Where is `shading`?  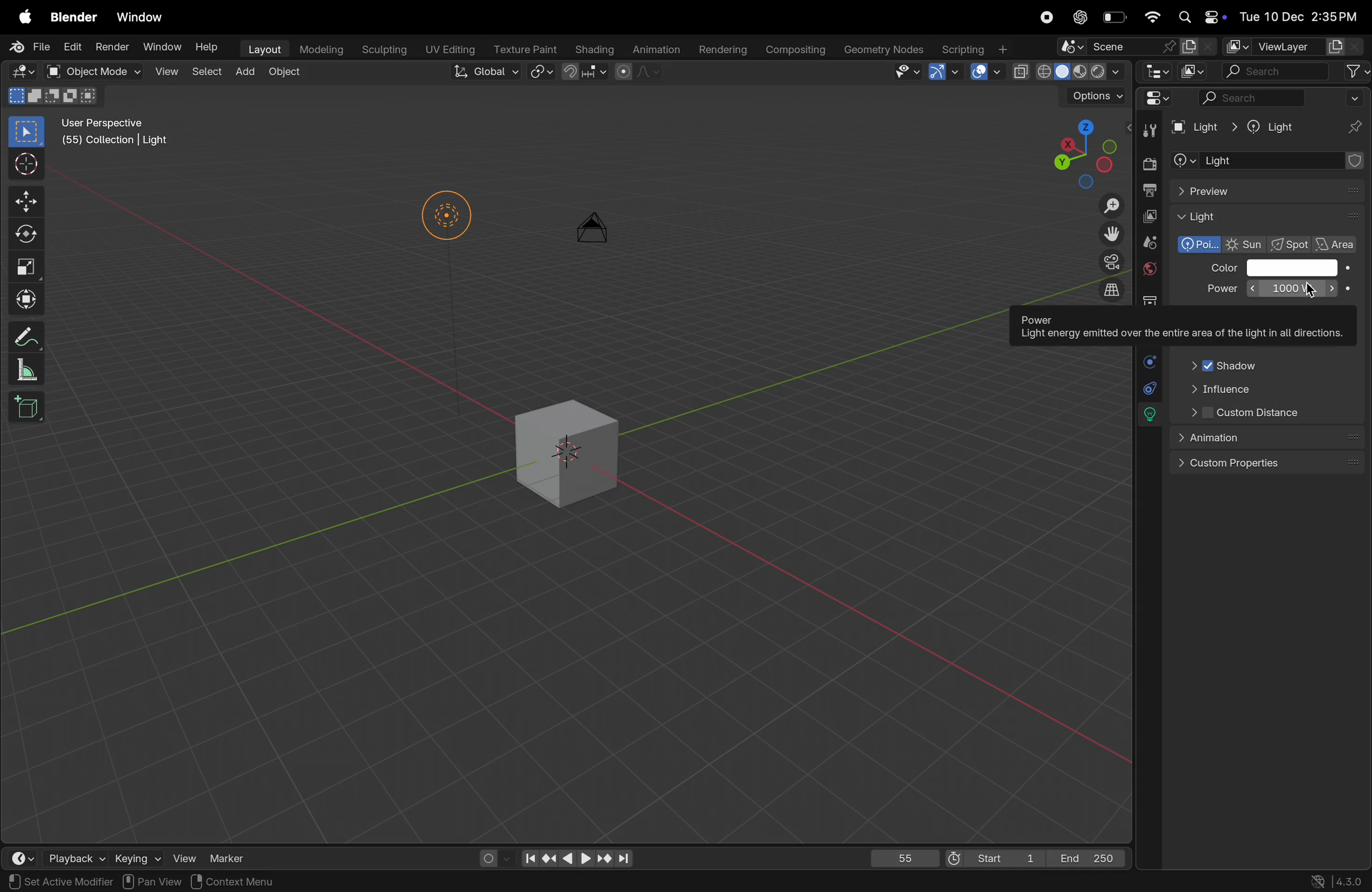 shading is located at coordinates (595, 48).